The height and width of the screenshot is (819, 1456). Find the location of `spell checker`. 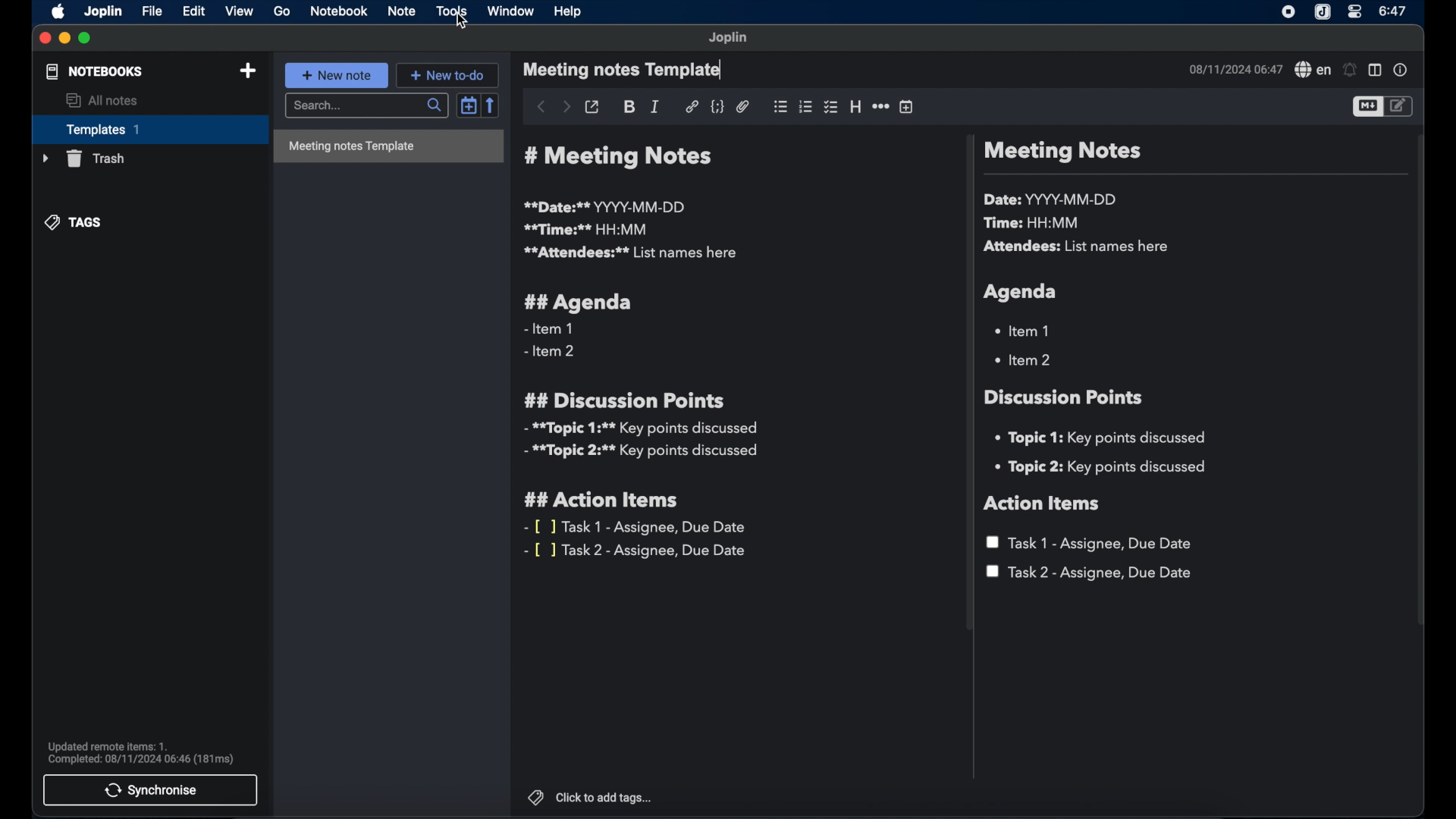

spell checker is located at coordinates (1311, 71).